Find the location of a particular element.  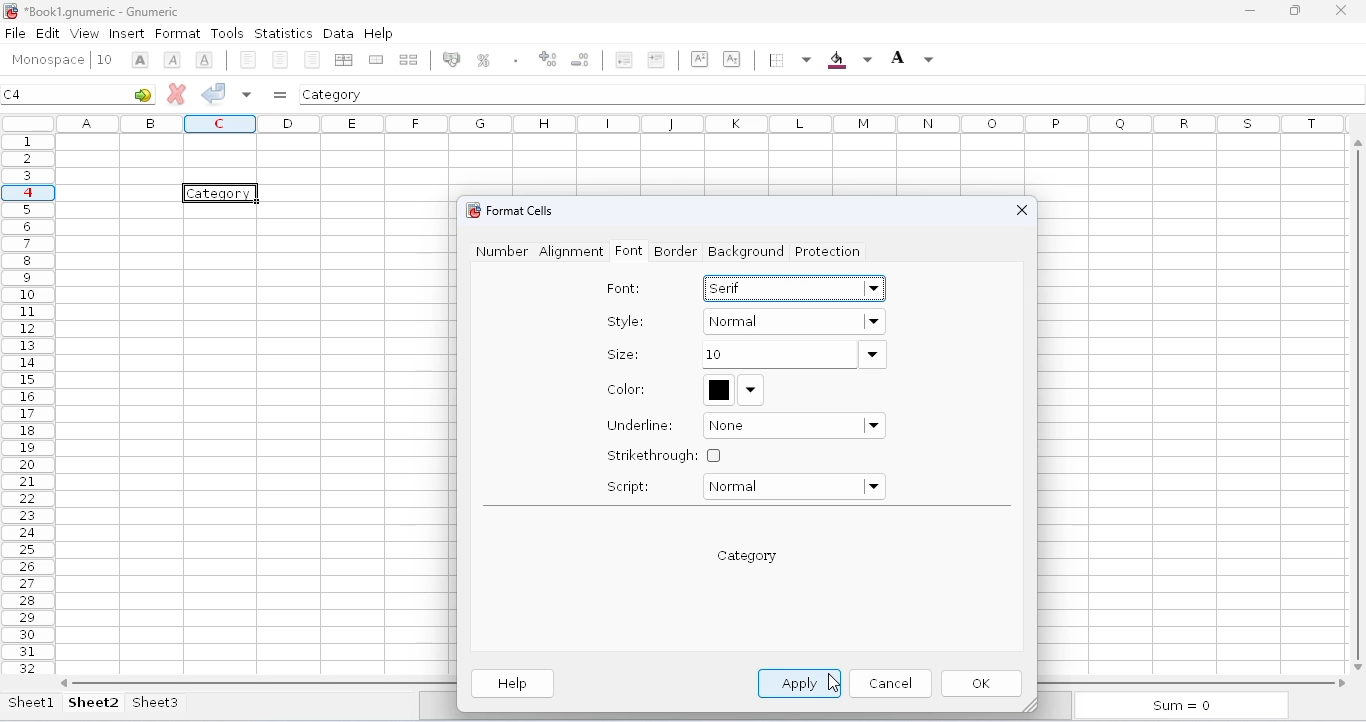

superscript is located at coordinates (700, 59).